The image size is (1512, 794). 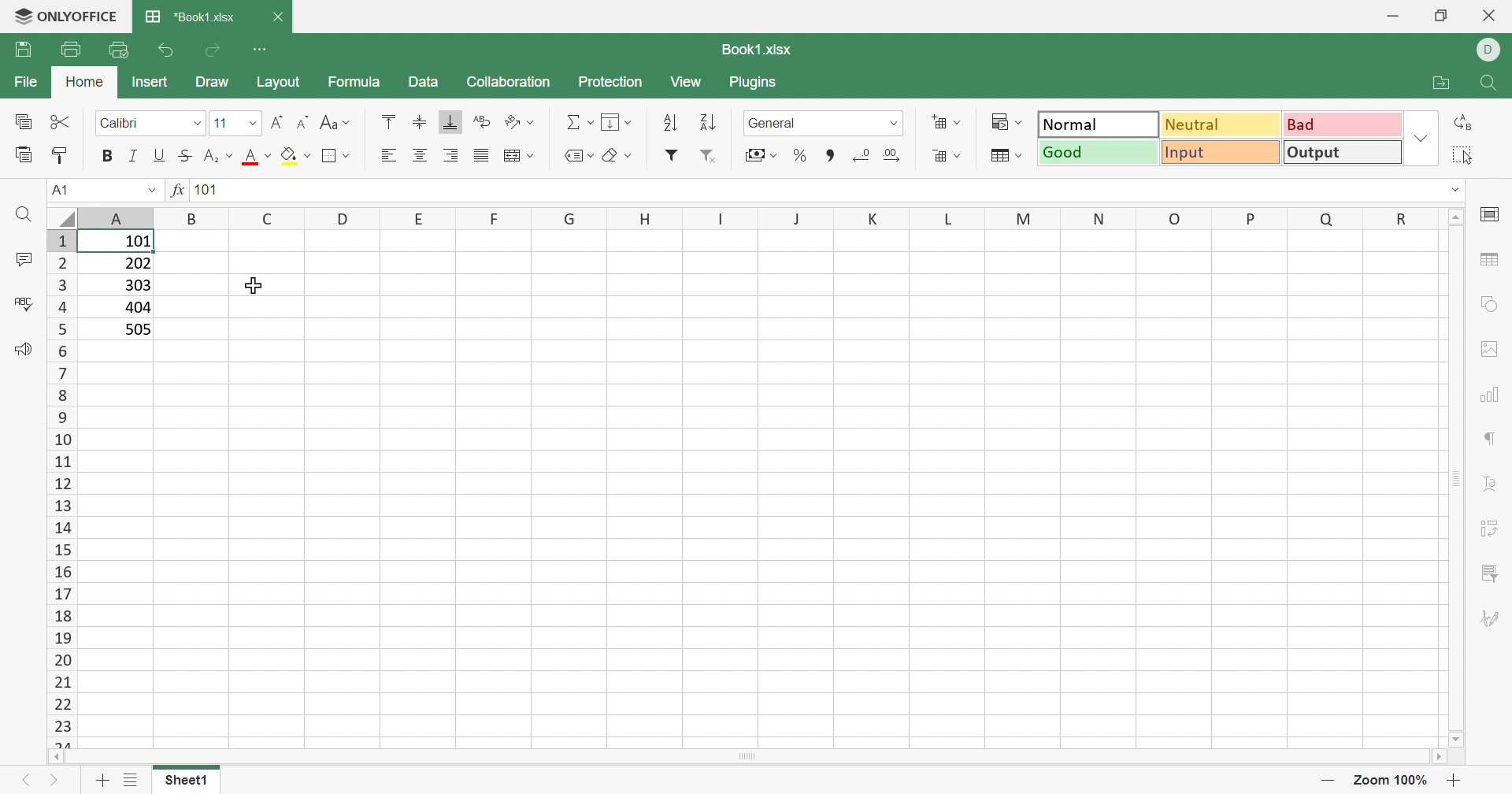 What do you see at coordinates (72, 48) in the screenshot?
I see `Print` at bounding box center [72, 48].